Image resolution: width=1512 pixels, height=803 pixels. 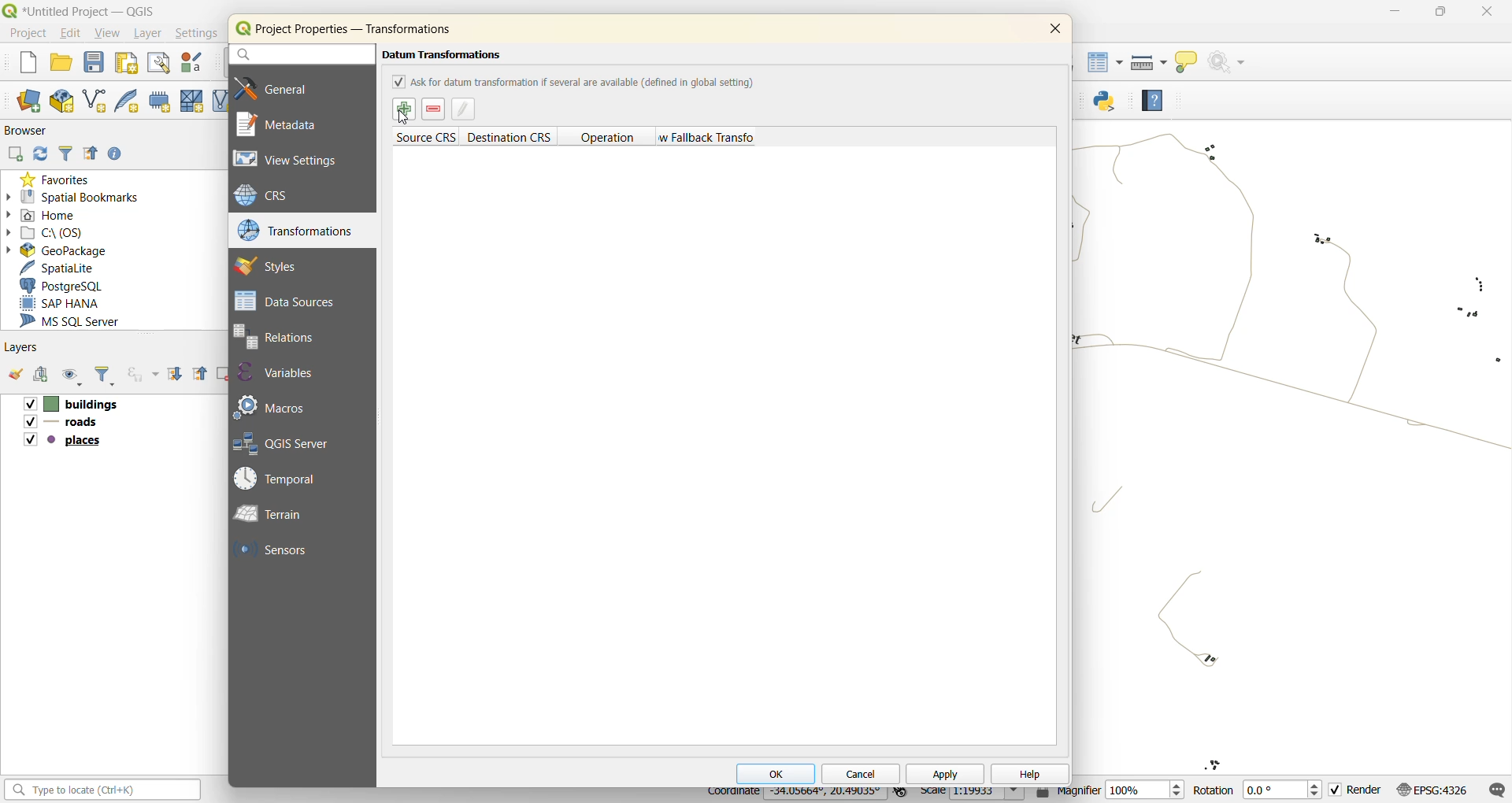 What do you see at coordinates (9, 10) in the screenshot?
I see `logo` at bounding box center [9, 10].